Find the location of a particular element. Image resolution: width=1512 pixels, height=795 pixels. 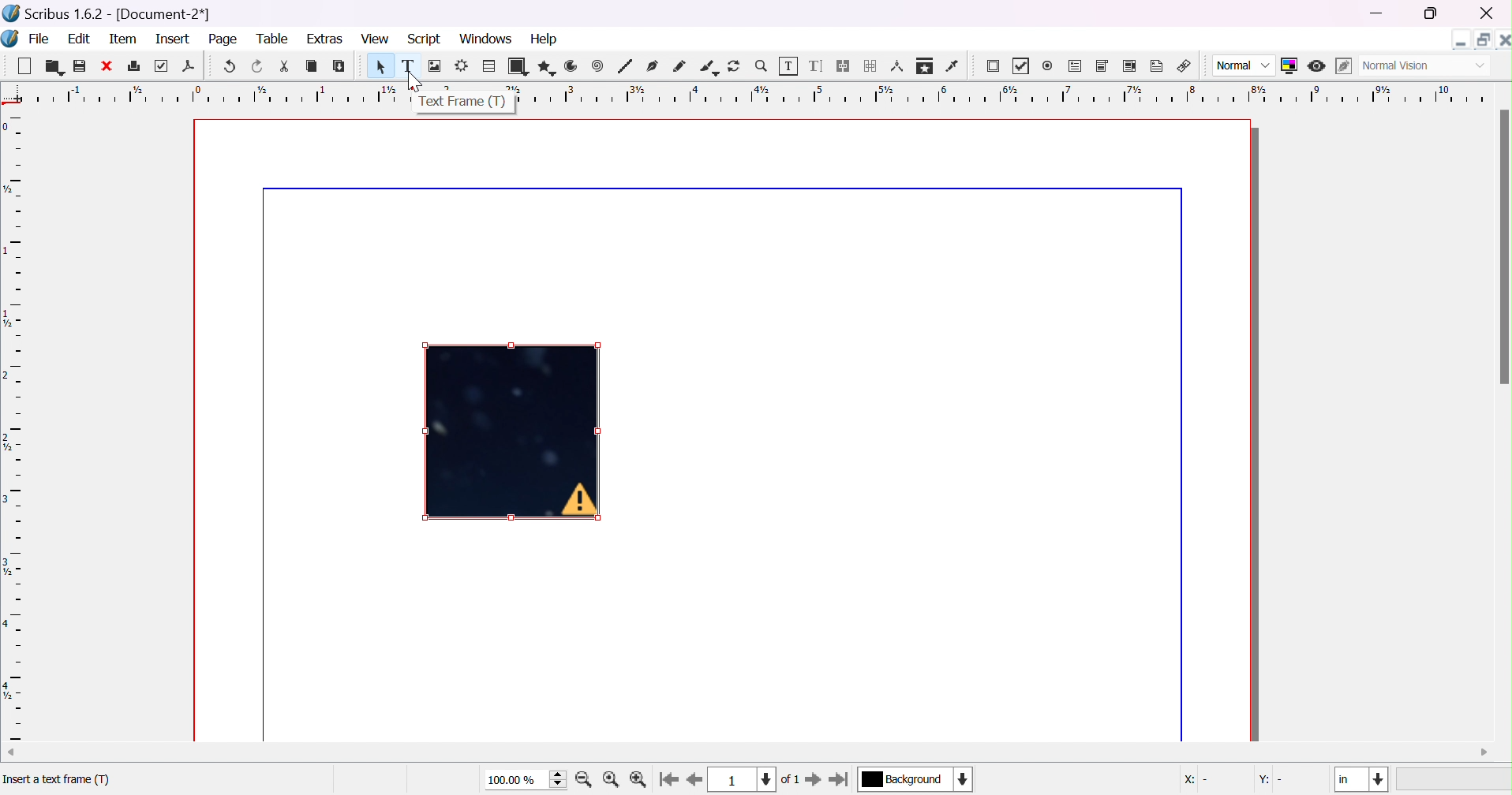

close is located at coordinates (105, 66).